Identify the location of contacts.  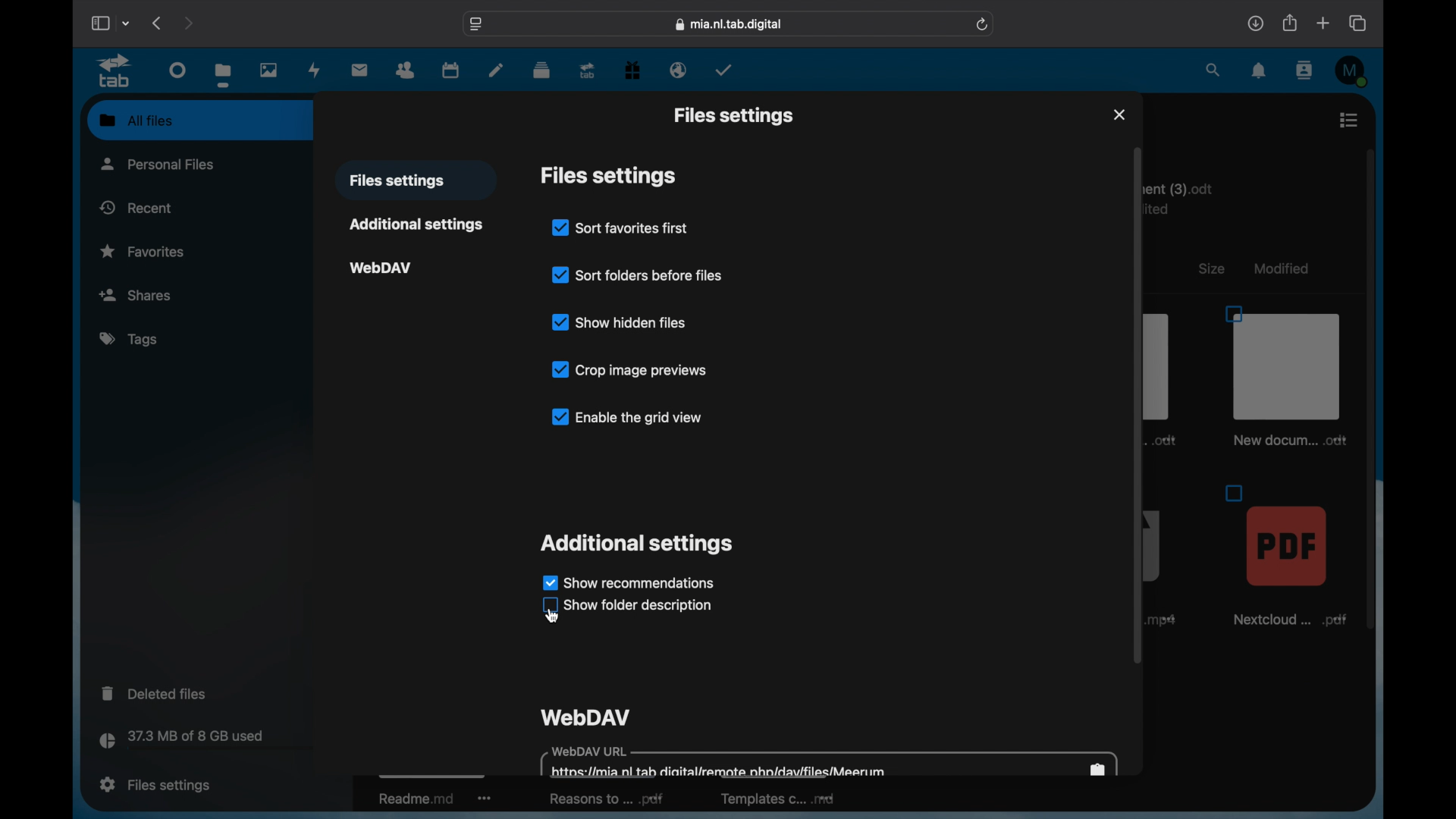
(406, 71).